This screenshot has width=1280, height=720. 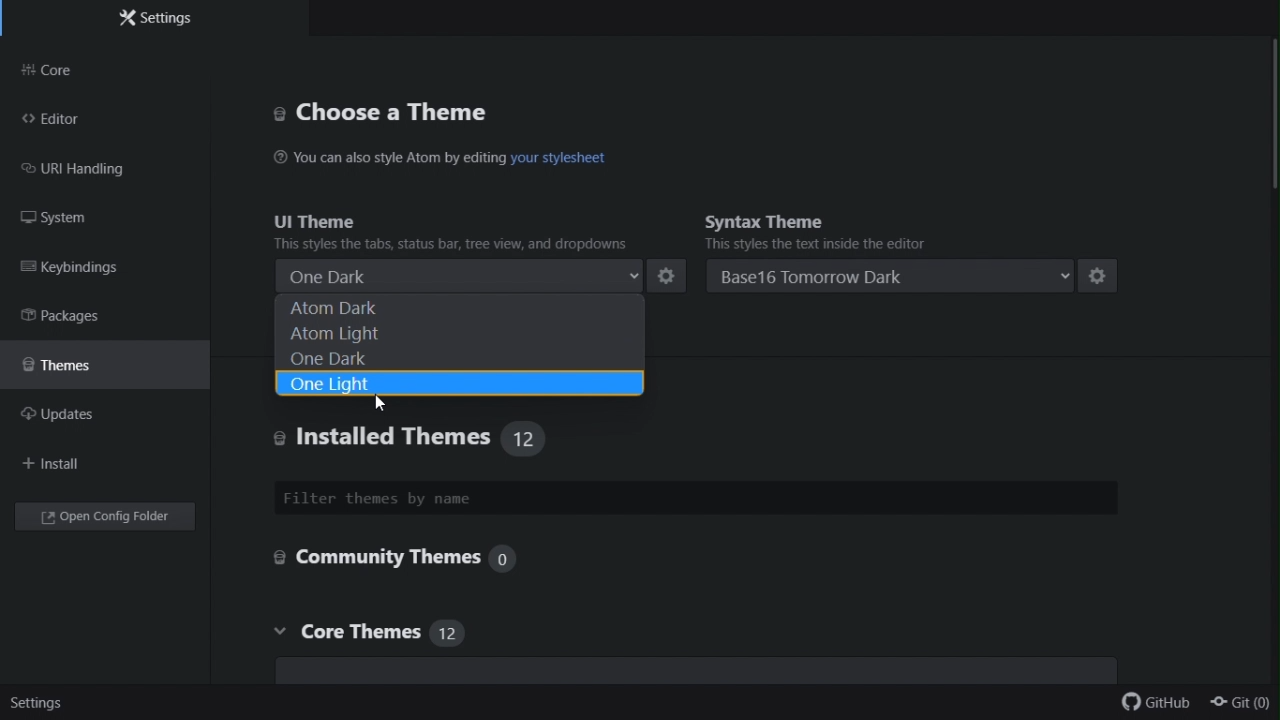 What do you see at coordinates (431, 110) in the screenshot?
I see `Choose a theme ` at bounding box center [431, 110].